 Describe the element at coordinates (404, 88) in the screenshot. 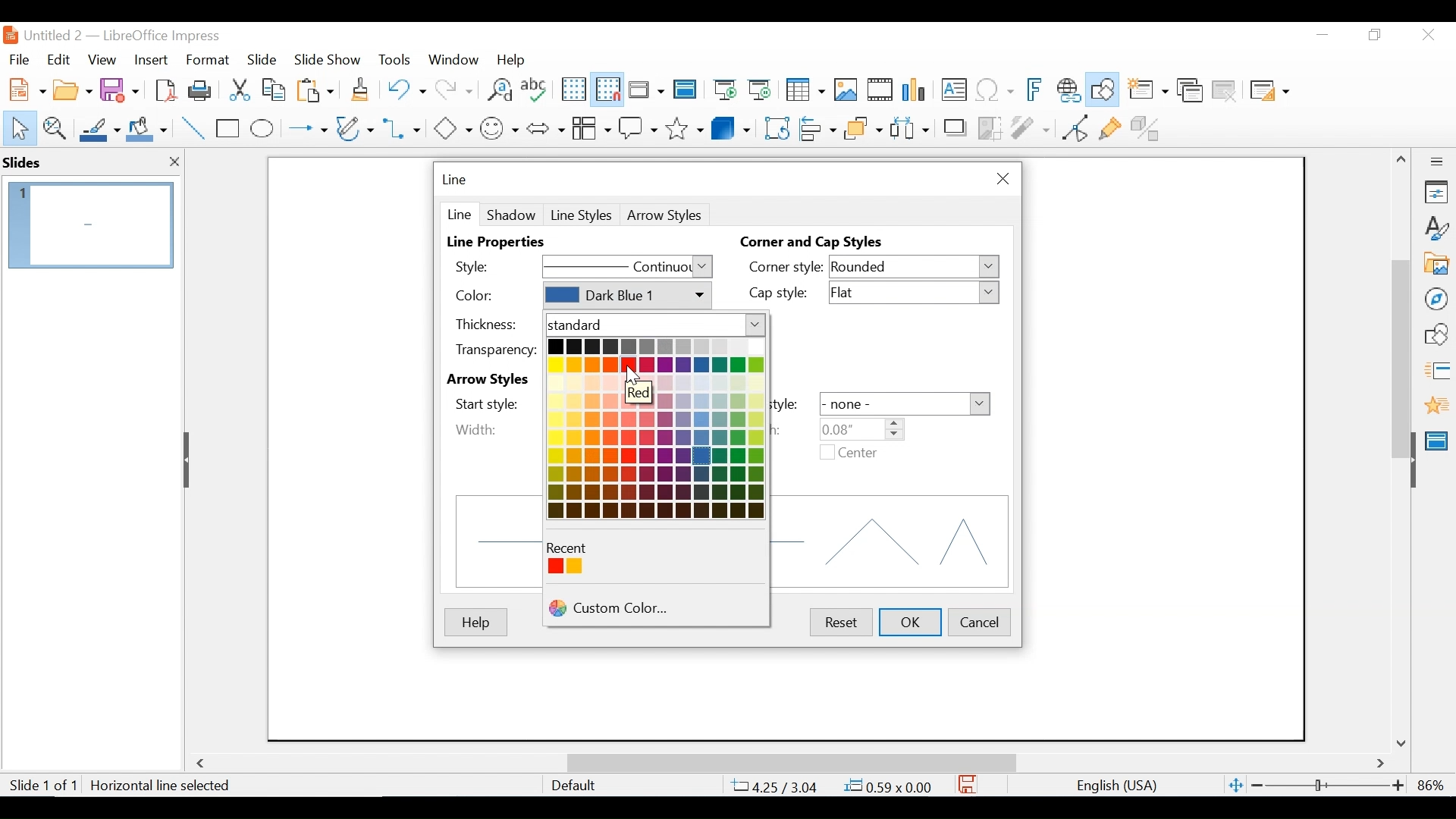

I see `Undo` at that location.